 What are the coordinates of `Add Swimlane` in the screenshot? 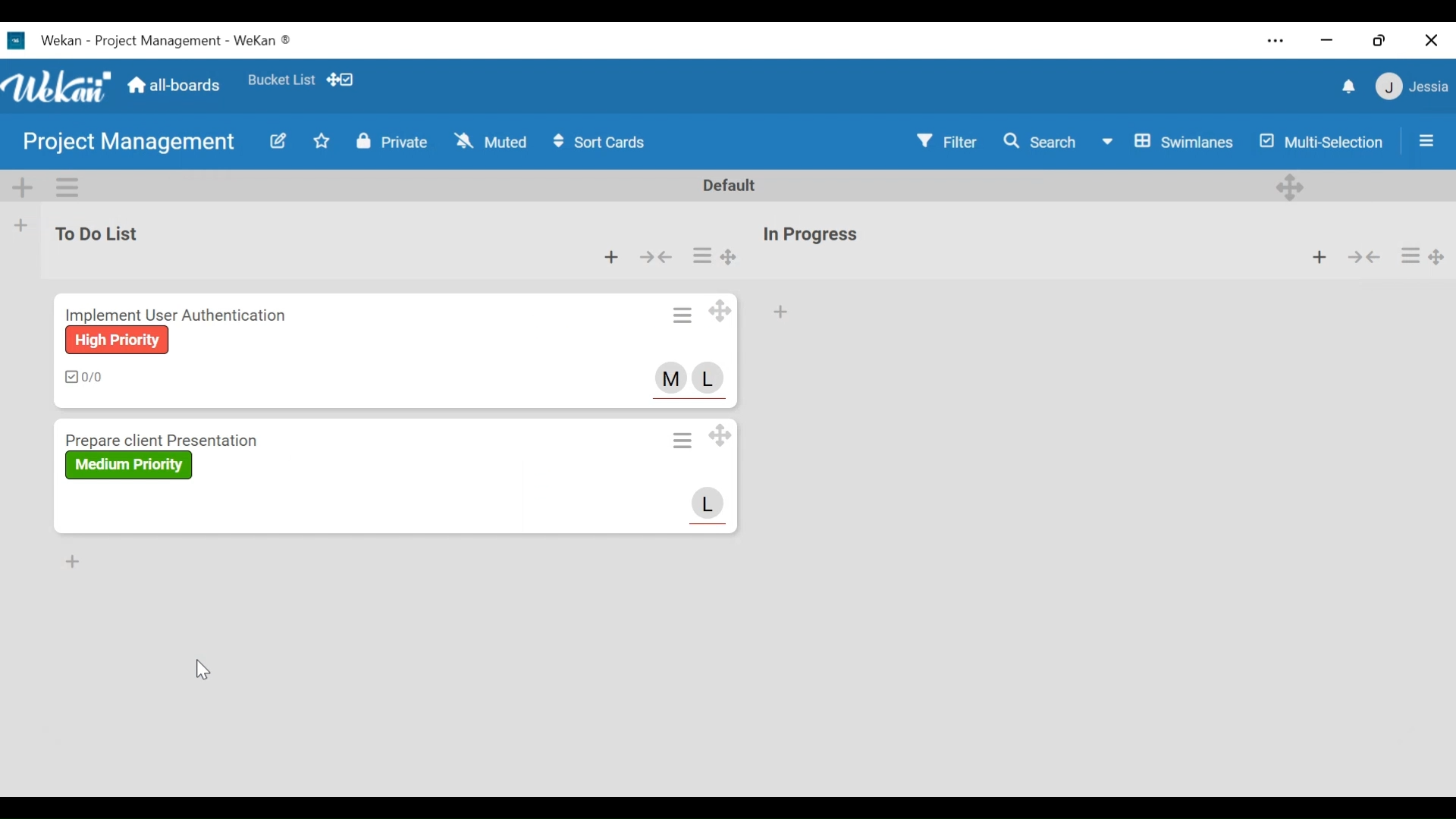 It's located at (24, 187).